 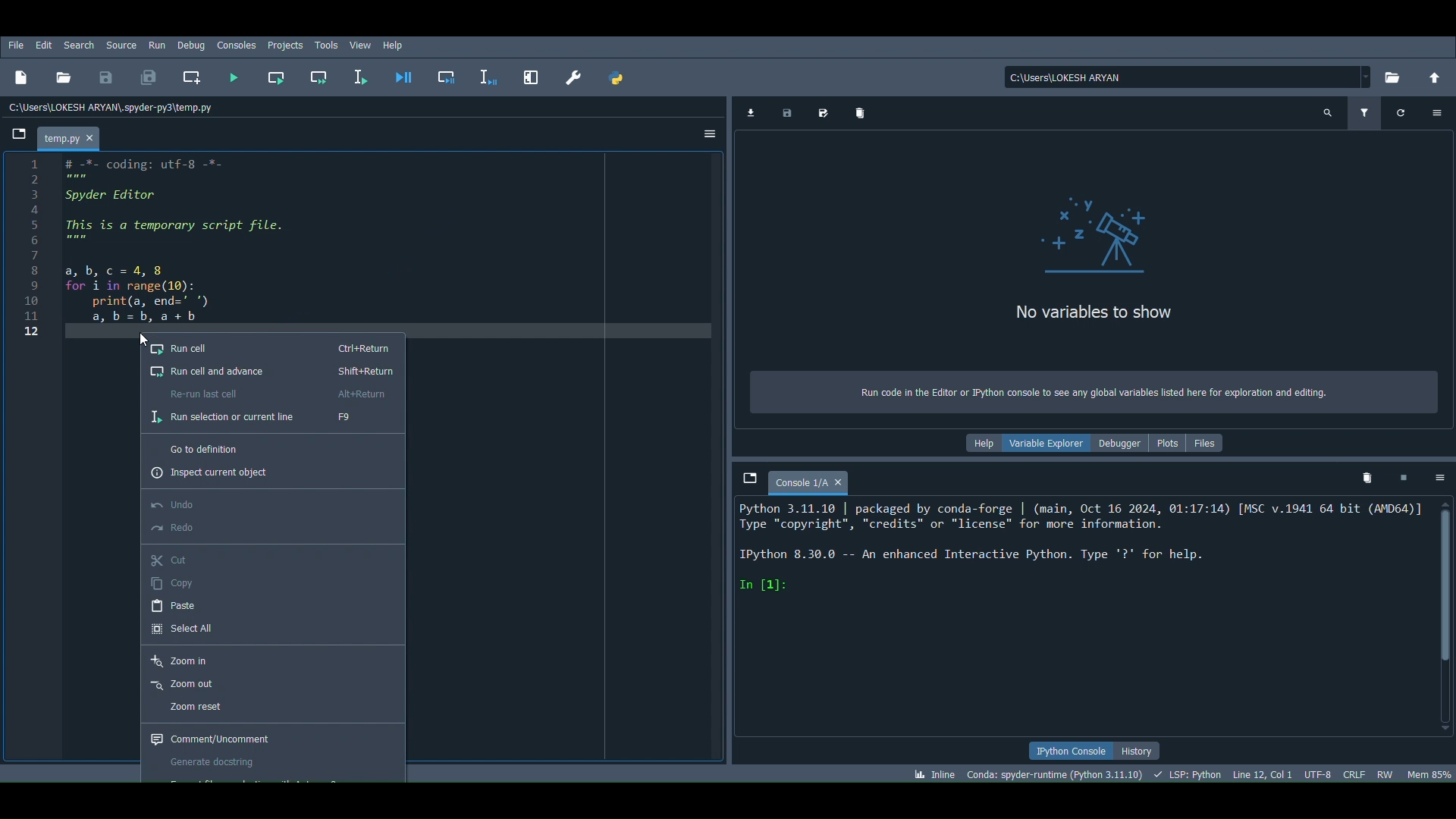 What do you see at coordinates (284, 47) in the screenshot?
I see `Projects` at bounding box center [284, 47].